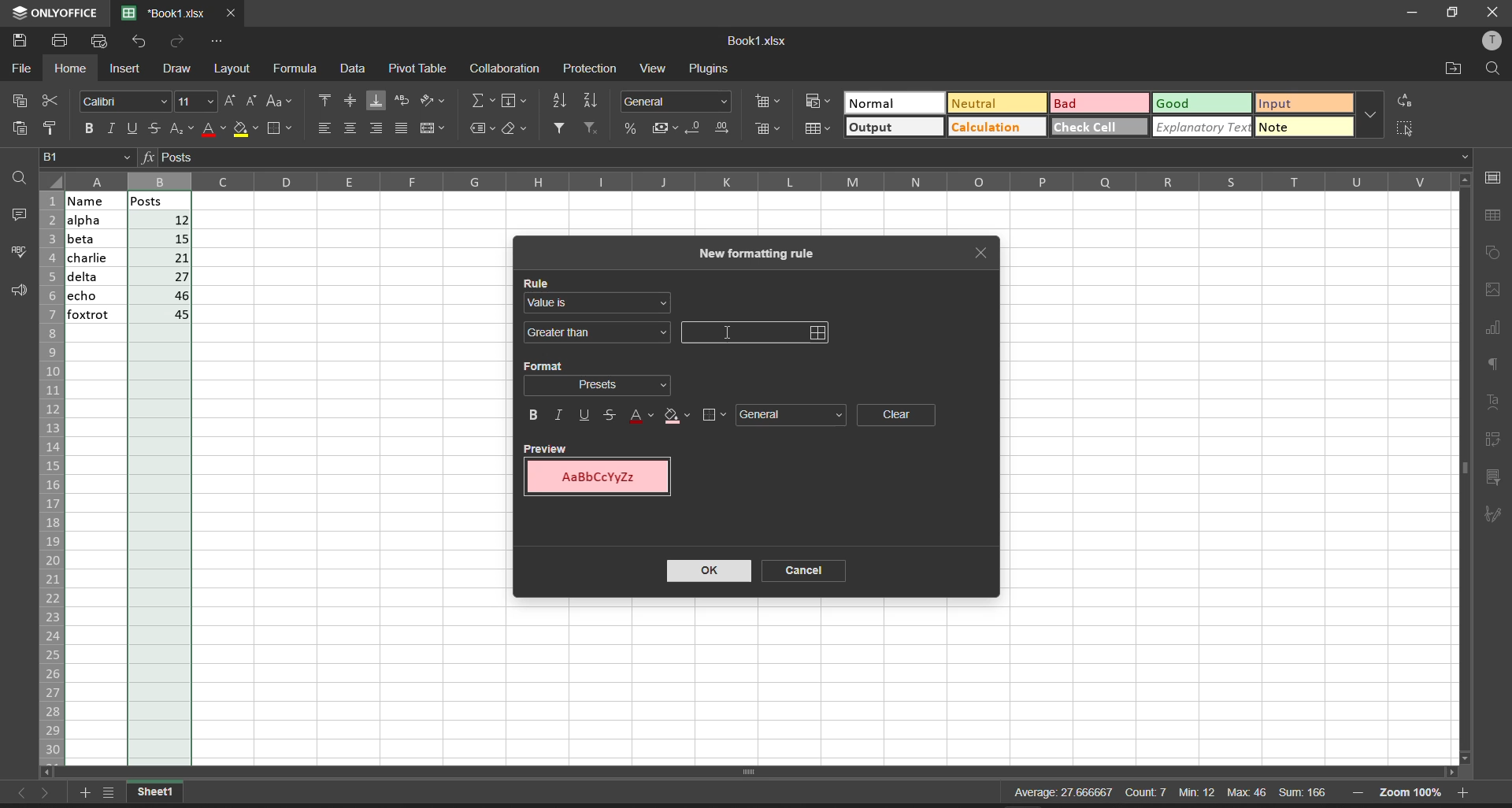 The width and height of the screenshot is (1512, 808). Describe the element at coordinates (22, 41) in the screenshot. I see `save` at that location.